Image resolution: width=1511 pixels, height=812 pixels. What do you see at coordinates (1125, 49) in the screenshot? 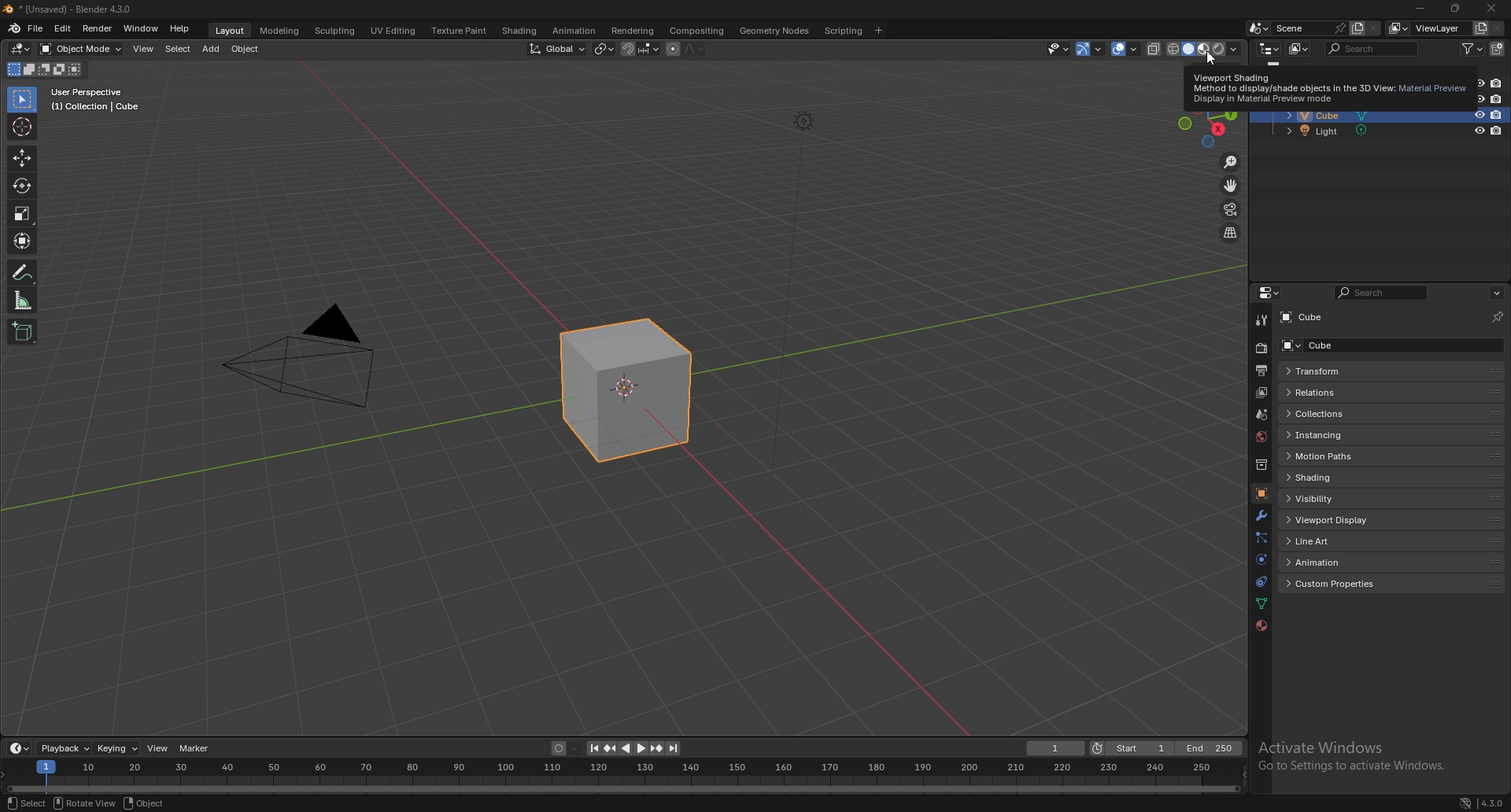
I see `show overlays` at bounding box center [1125, 49].